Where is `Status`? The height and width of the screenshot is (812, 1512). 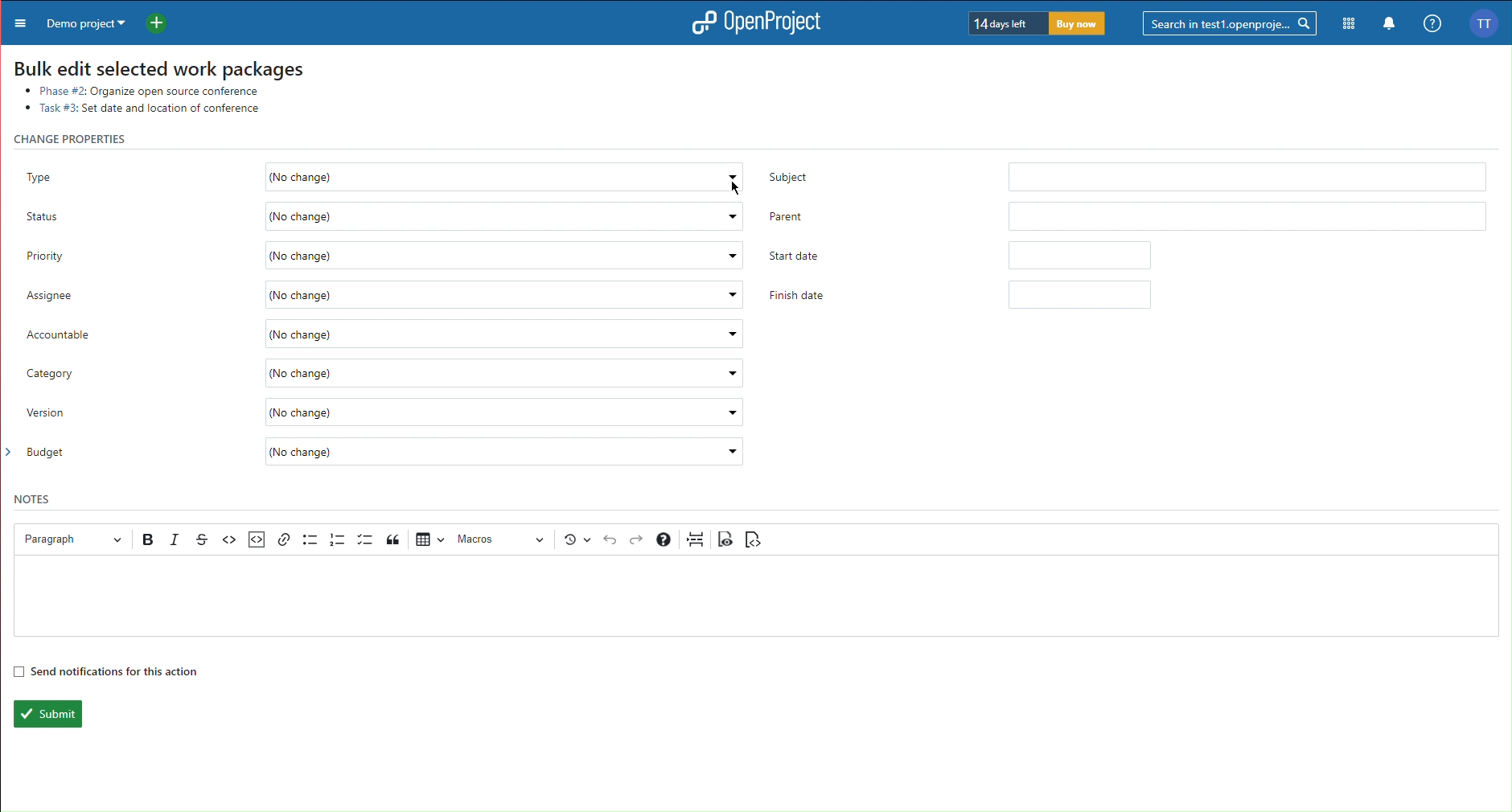 Status is located at coordinates (384, 214).